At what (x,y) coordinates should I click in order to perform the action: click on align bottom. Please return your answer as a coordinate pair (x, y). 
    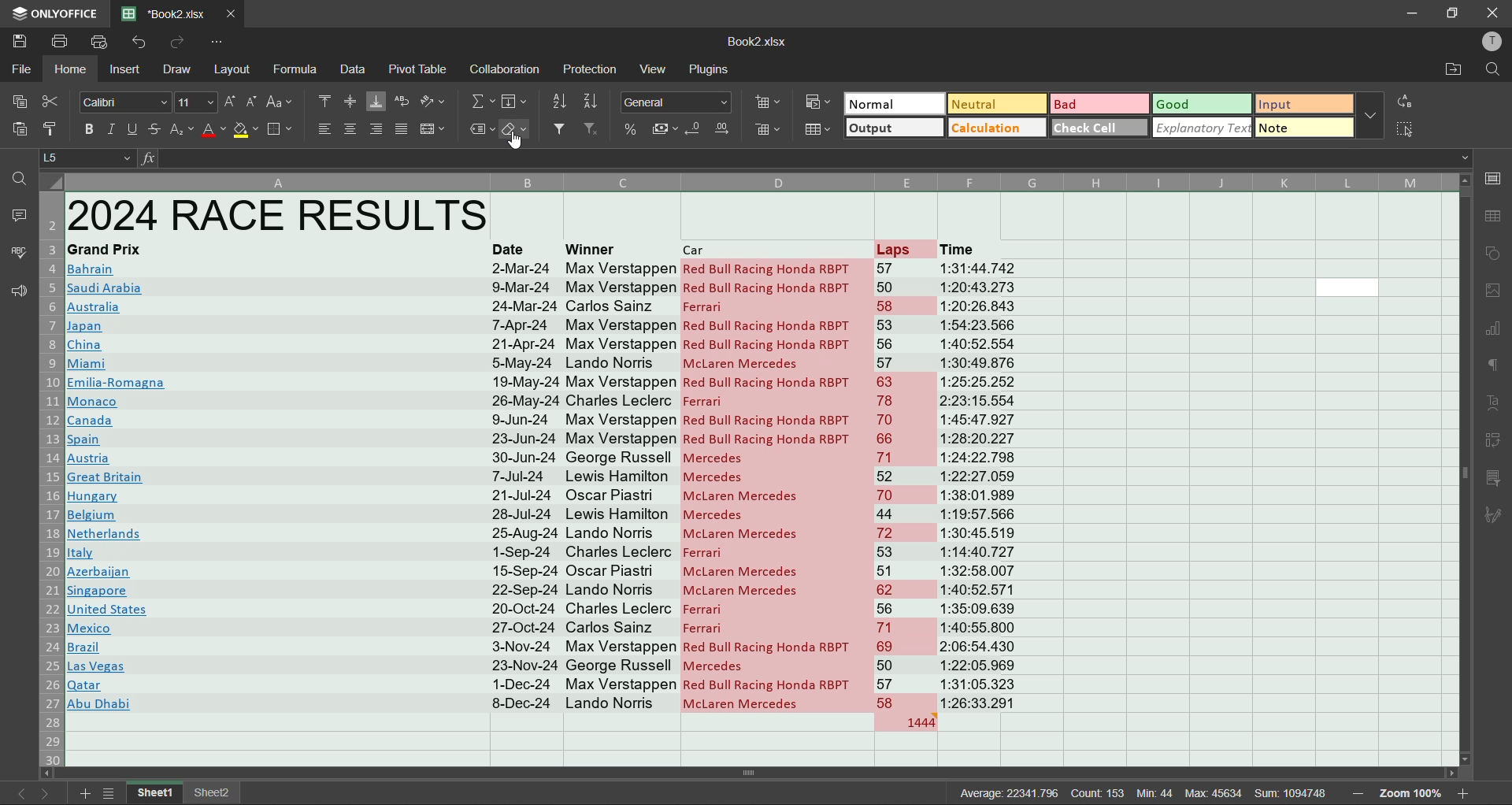
    Looking at the image, I should click on (375, 102).